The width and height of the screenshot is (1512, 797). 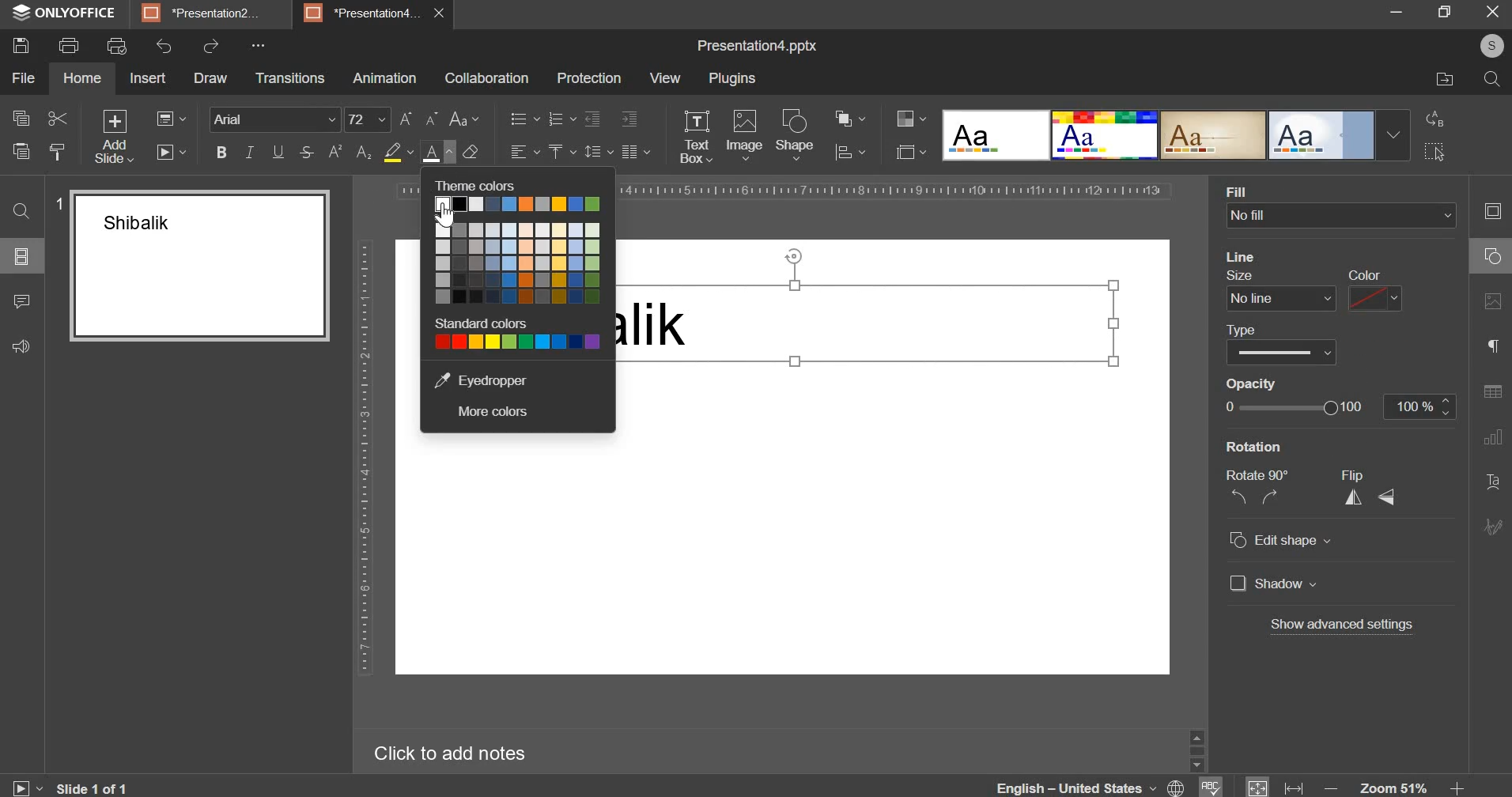 What do you see at coordinates (278, 152) in the screenshot?
I see `underline` at bounding box center [278, 152].